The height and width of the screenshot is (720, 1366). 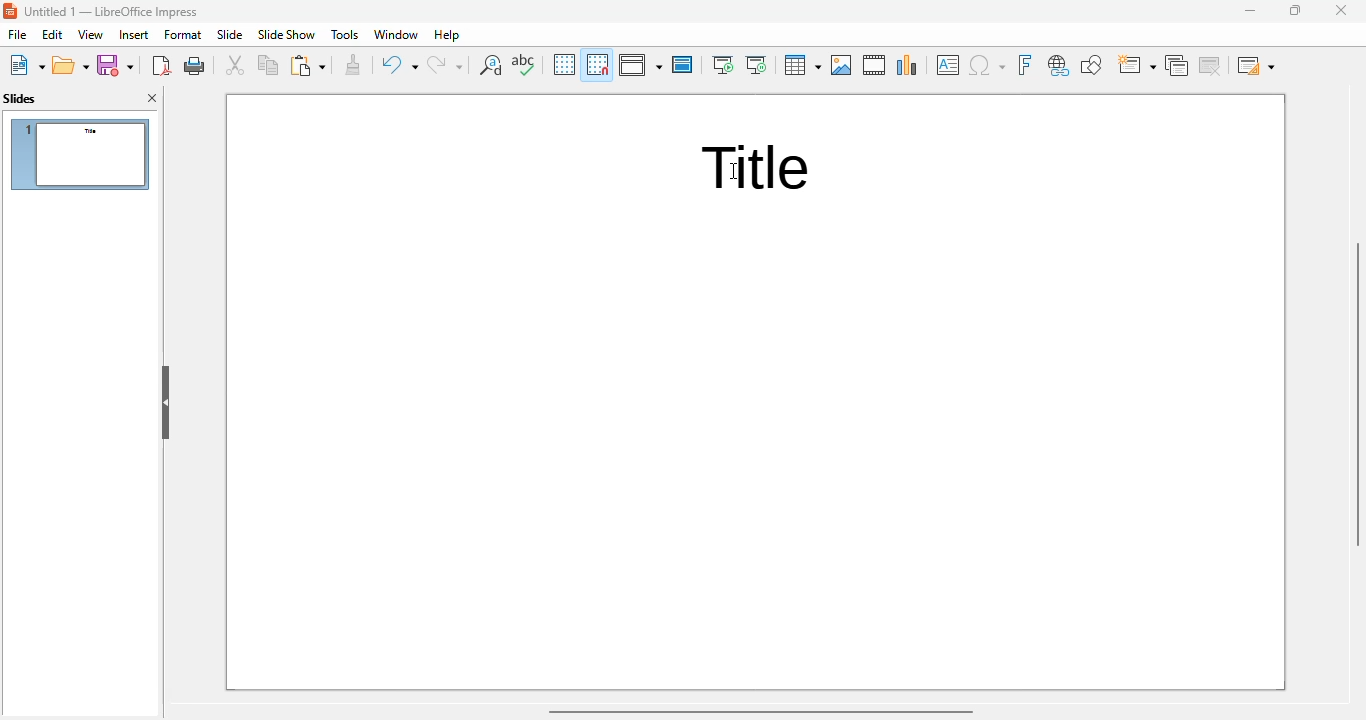 I want to click on slide 1, so click(x=80, y=154).